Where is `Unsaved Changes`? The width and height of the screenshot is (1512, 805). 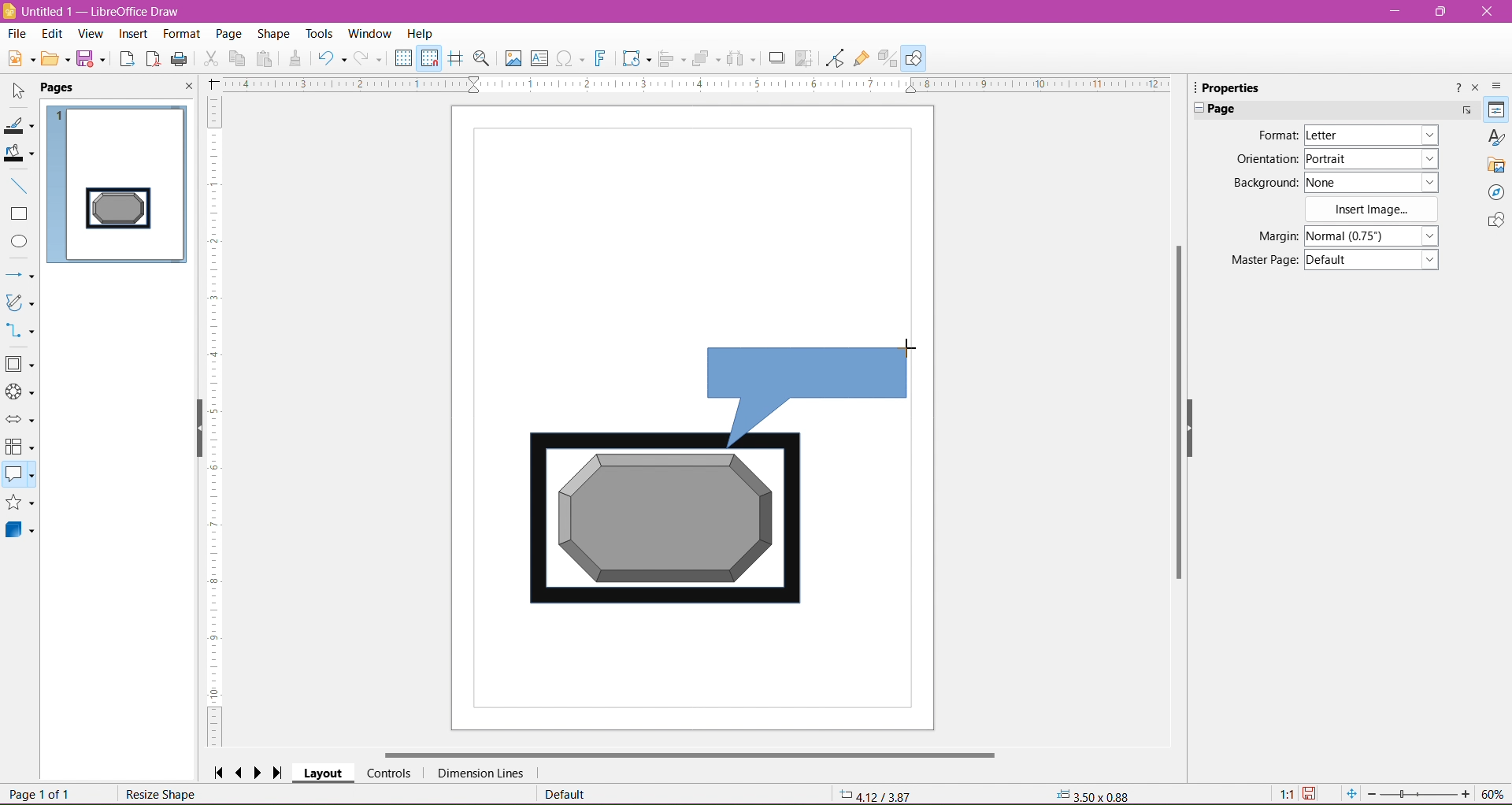 Unsaved Changes is located at coordinates (1313, 794).